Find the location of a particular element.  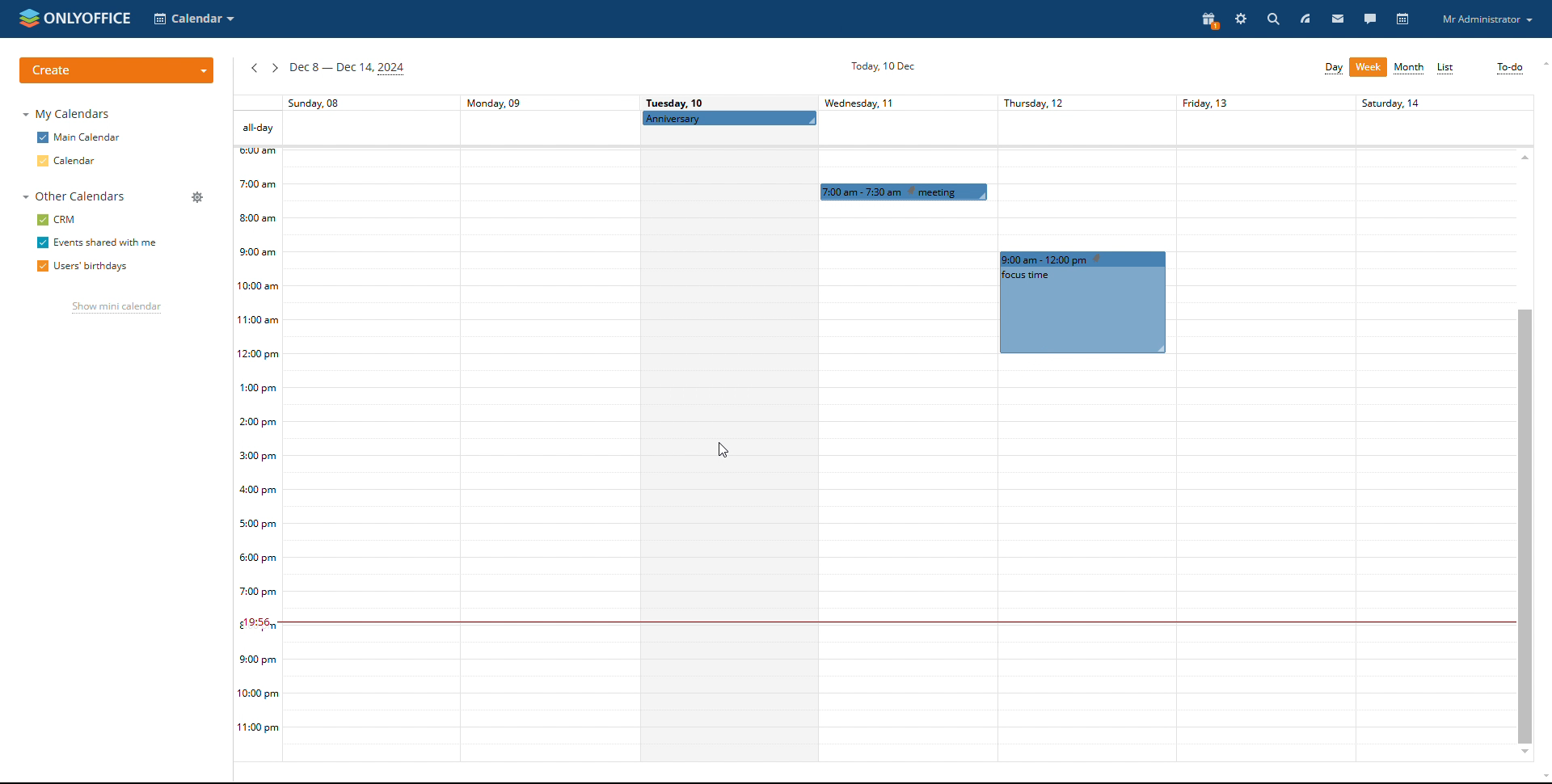

search is located at coordinates (1272, 19).